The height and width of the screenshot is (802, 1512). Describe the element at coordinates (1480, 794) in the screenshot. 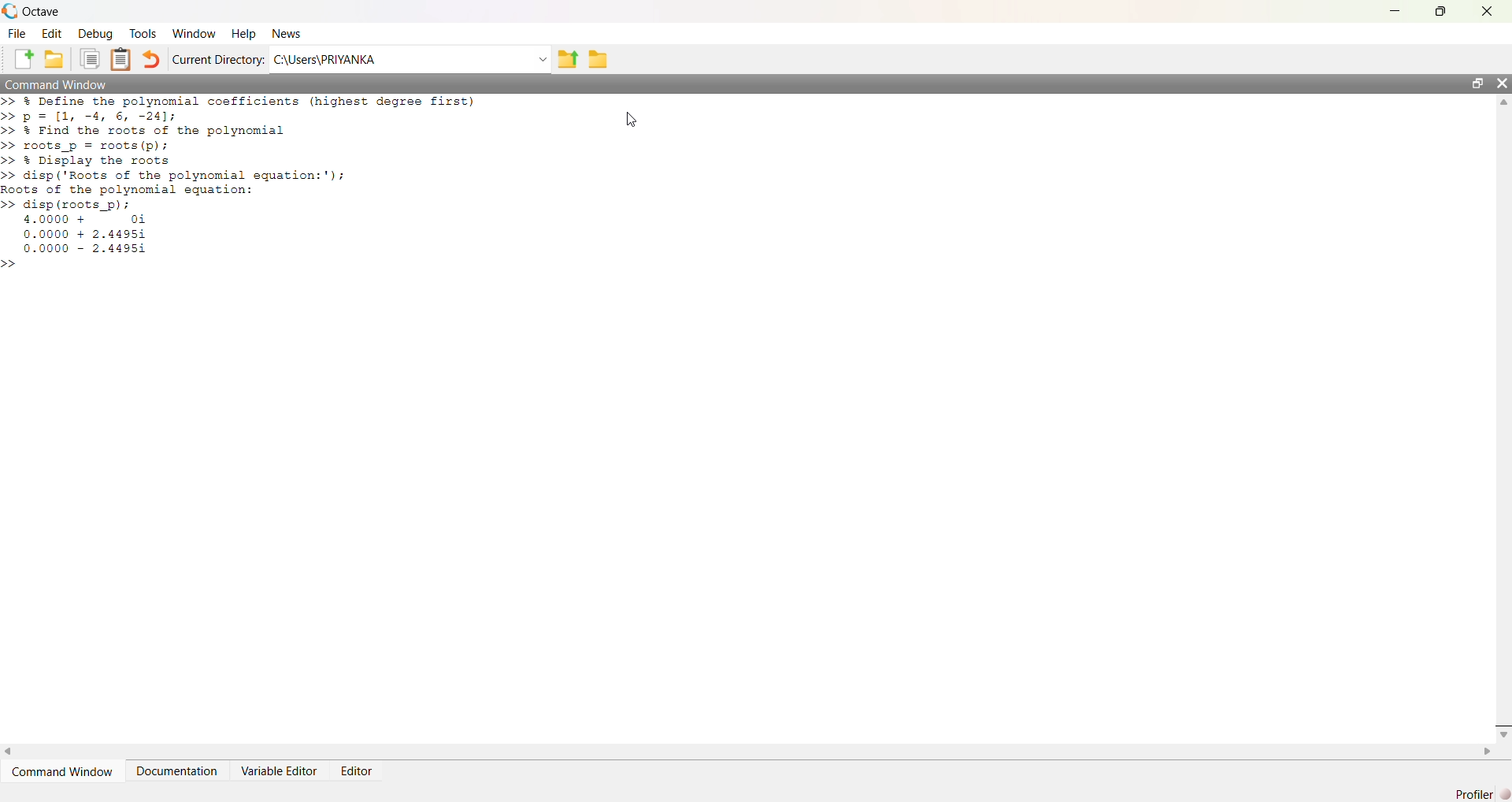

I see `Profile` at that location.